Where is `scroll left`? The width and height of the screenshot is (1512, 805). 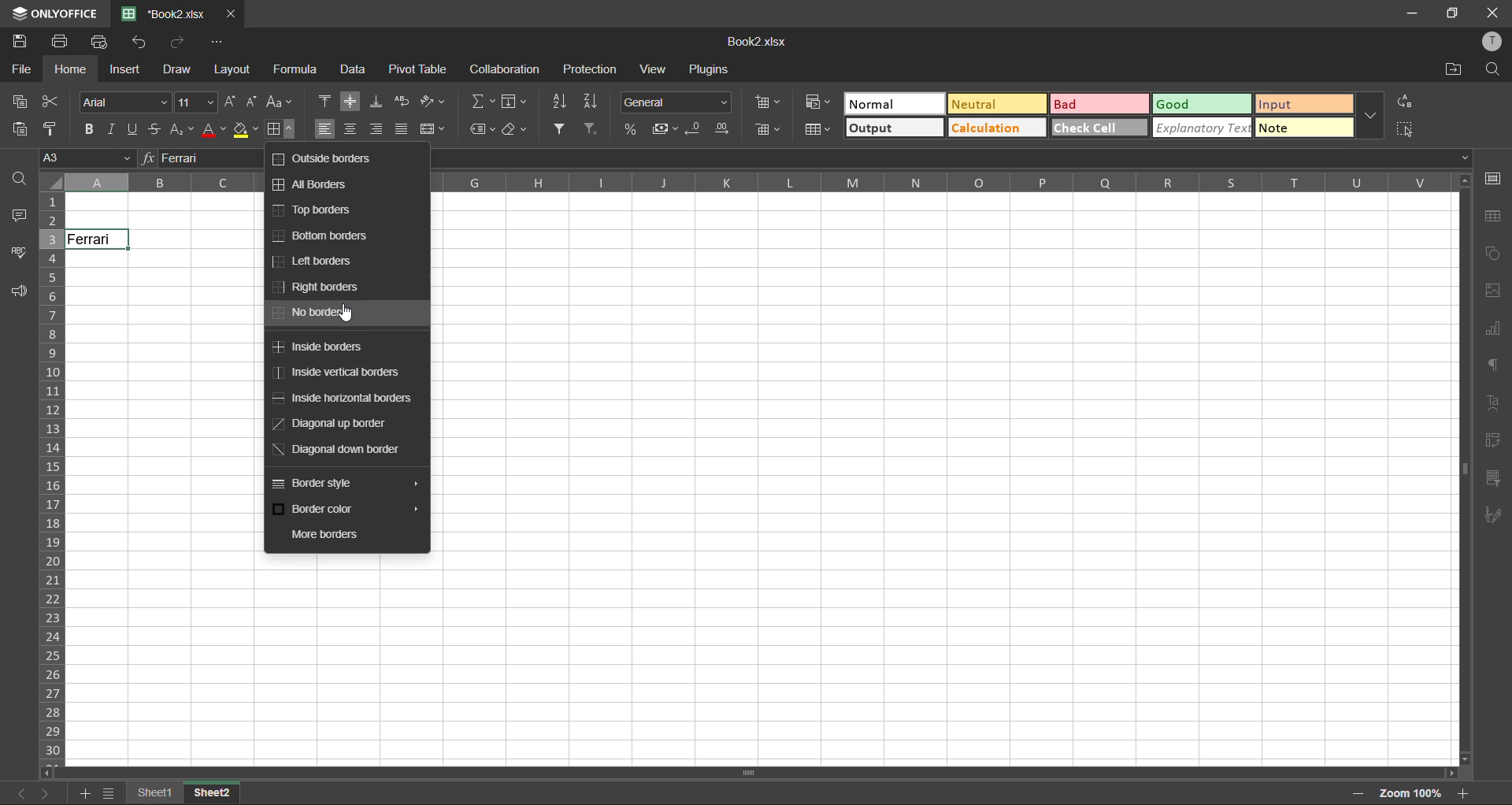 scroll left is located at coordinates (50, 773).